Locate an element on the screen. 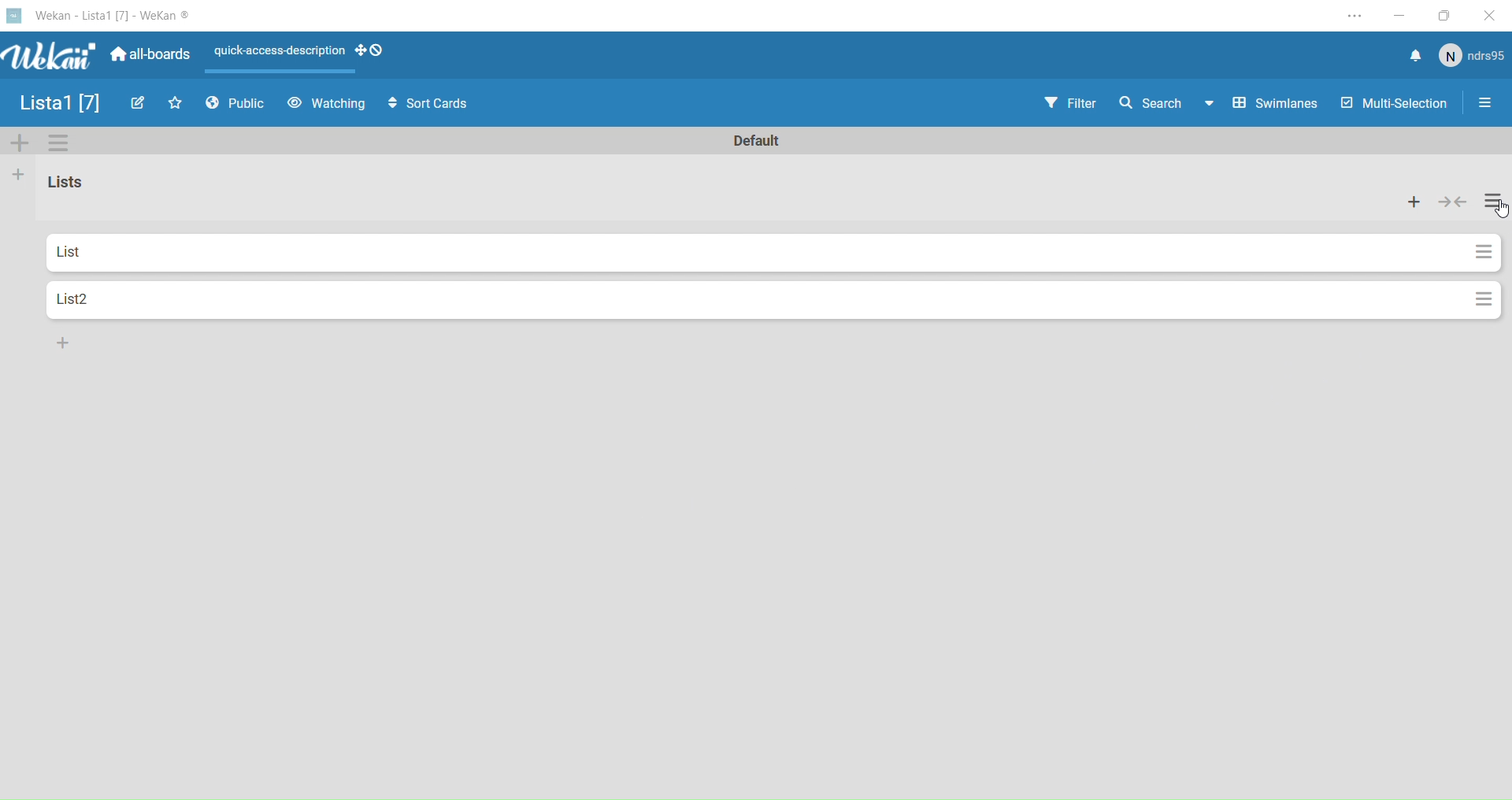 The height and width of the screenshot is (800, 1512). Wekan is located at coordinates (98, 53).